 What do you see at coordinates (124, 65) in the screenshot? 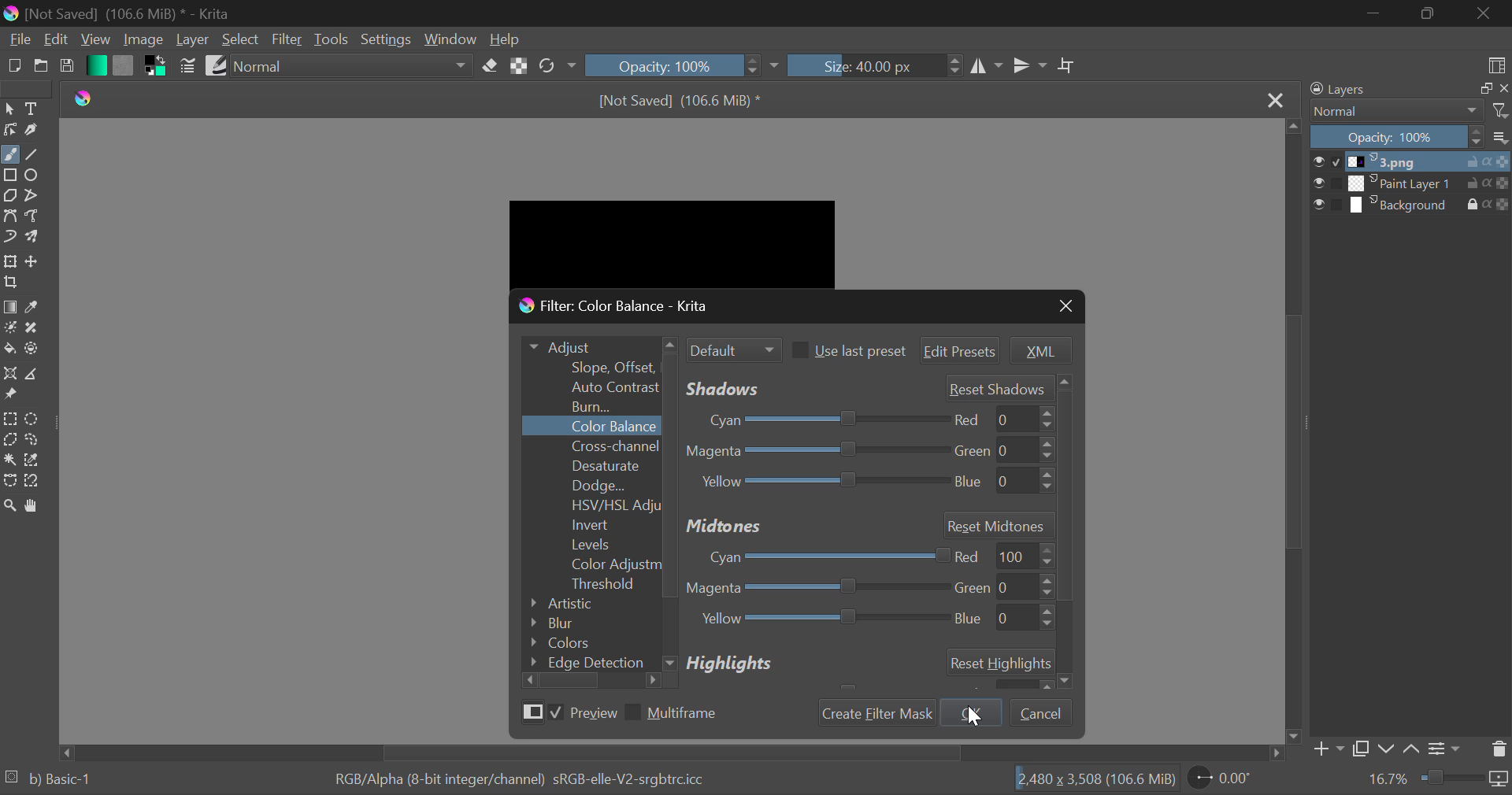
I see `Pattern` at bounding box center [124, 65].